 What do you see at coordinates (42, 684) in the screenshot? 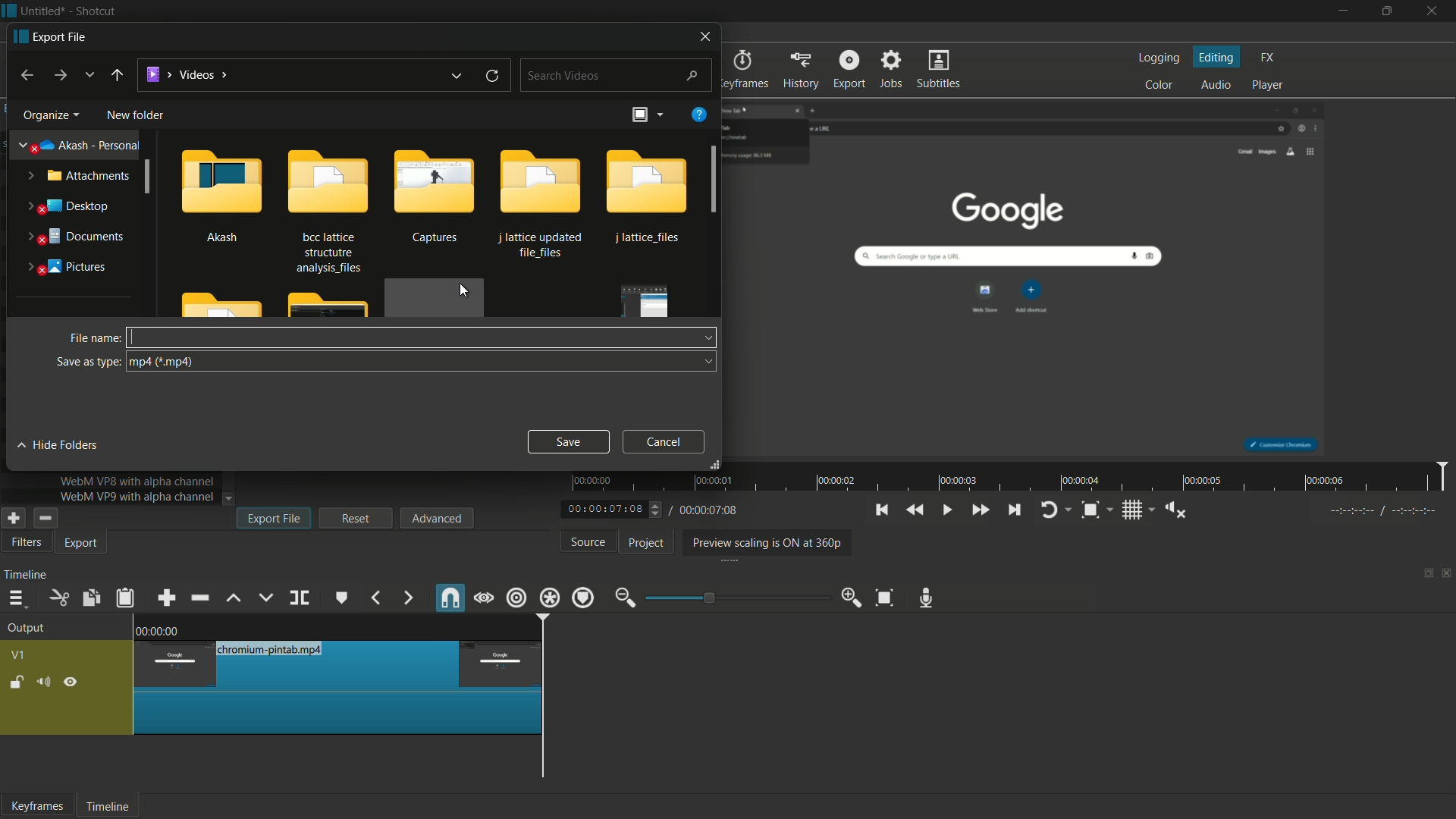
I see `mute` at bounding box center [42, 684].